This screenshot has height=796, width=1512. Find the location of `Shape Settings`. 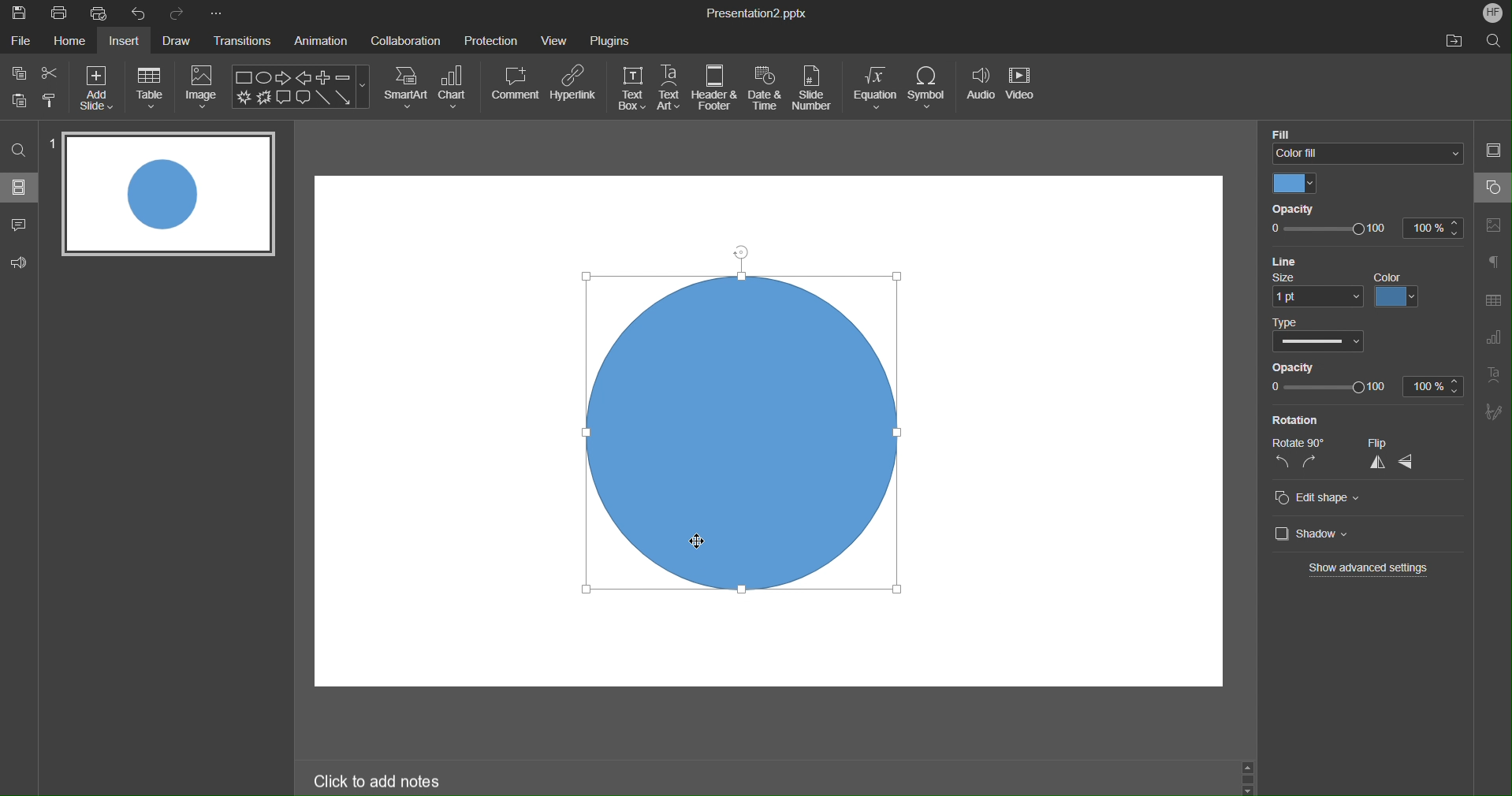

Shape Settings is located at coordinates (1492, 188).